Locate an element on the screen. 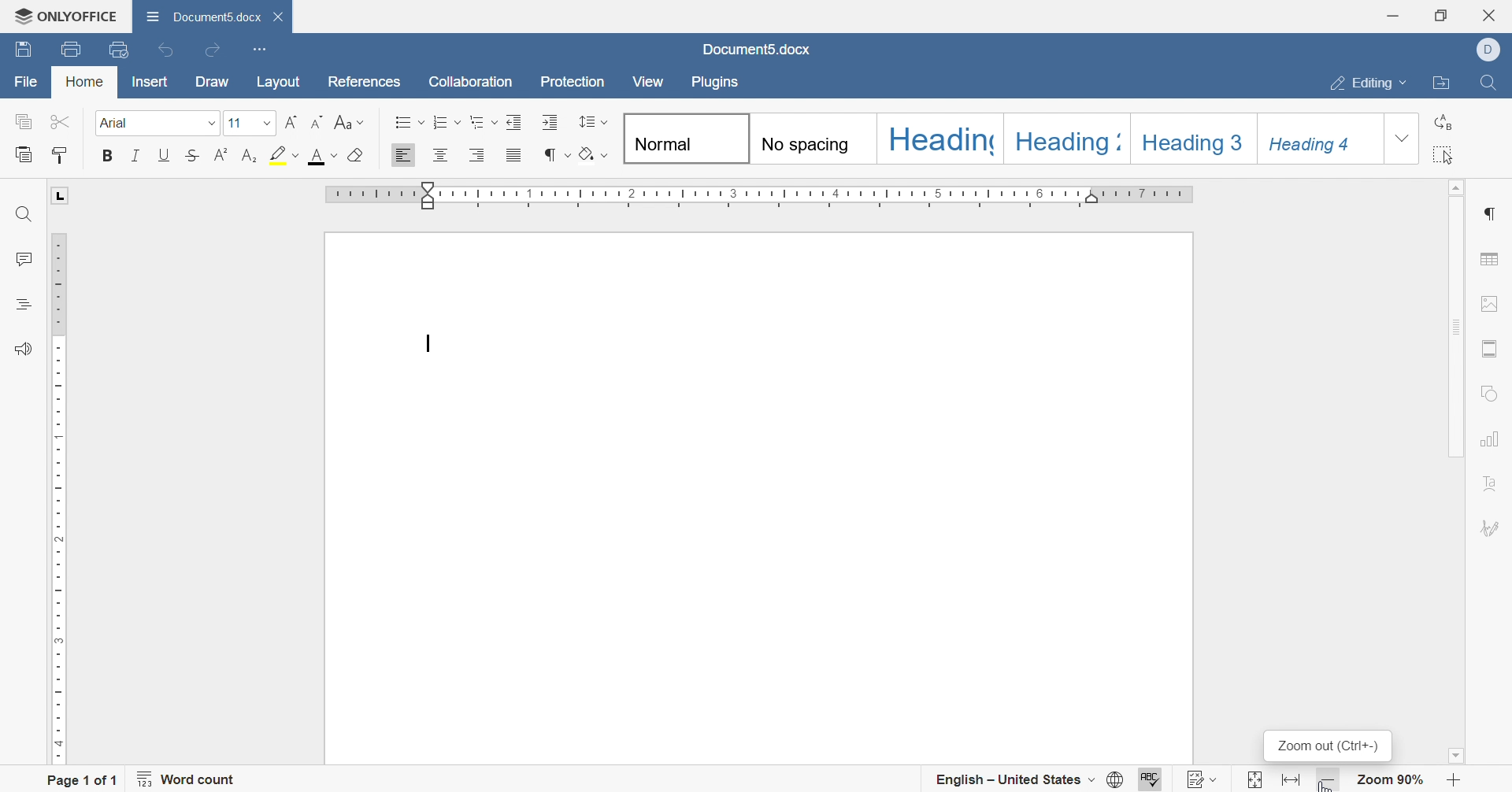  scroll bar is located at coordinates (1458, 327).